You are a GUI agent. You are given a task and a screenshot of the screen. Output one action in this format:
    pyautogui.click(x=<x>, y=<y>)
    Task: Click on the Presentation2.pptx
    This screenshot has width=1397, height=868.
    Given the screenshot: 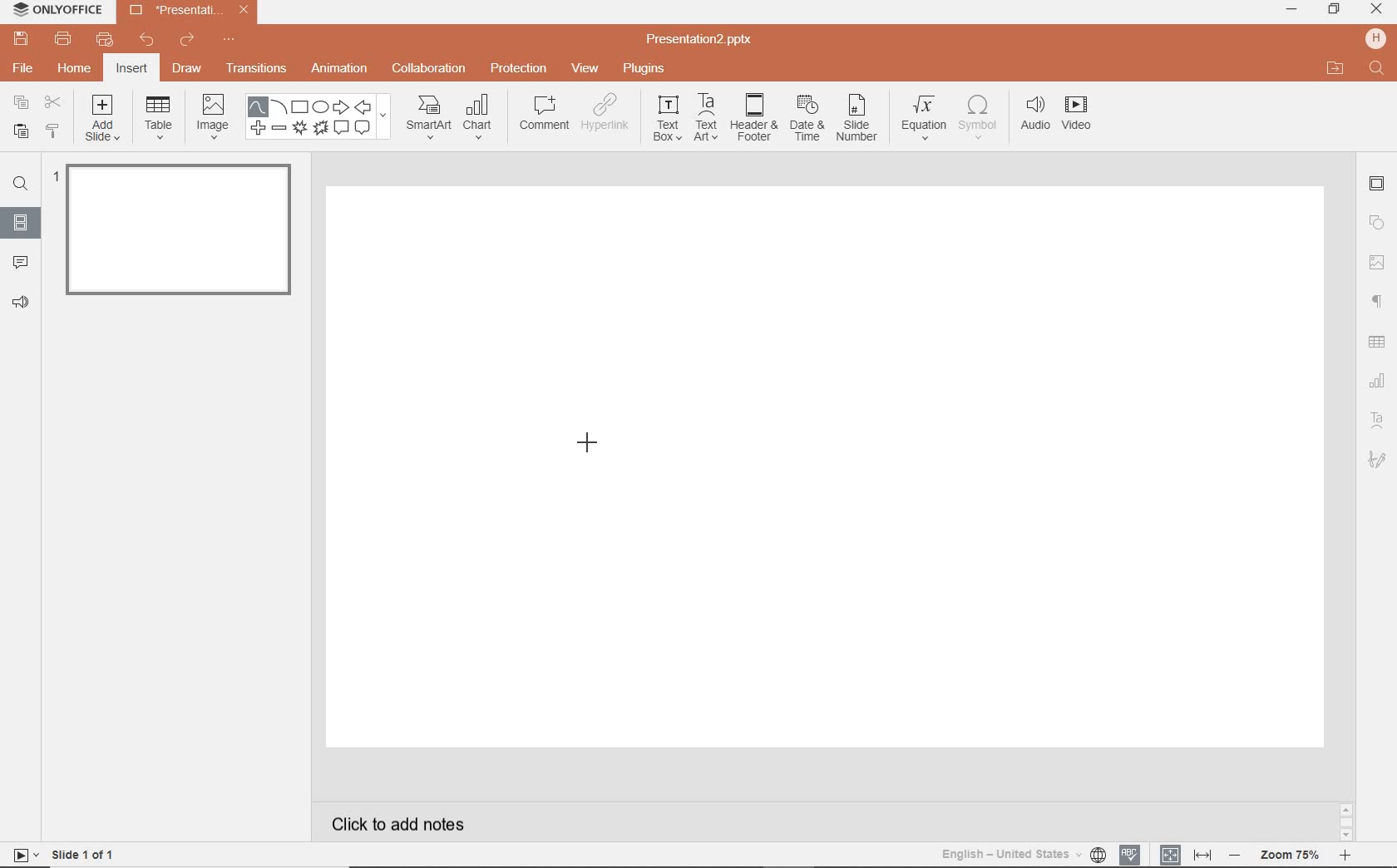 What is the action you would take?
    pyautogui.click(x=189, y=13)
    